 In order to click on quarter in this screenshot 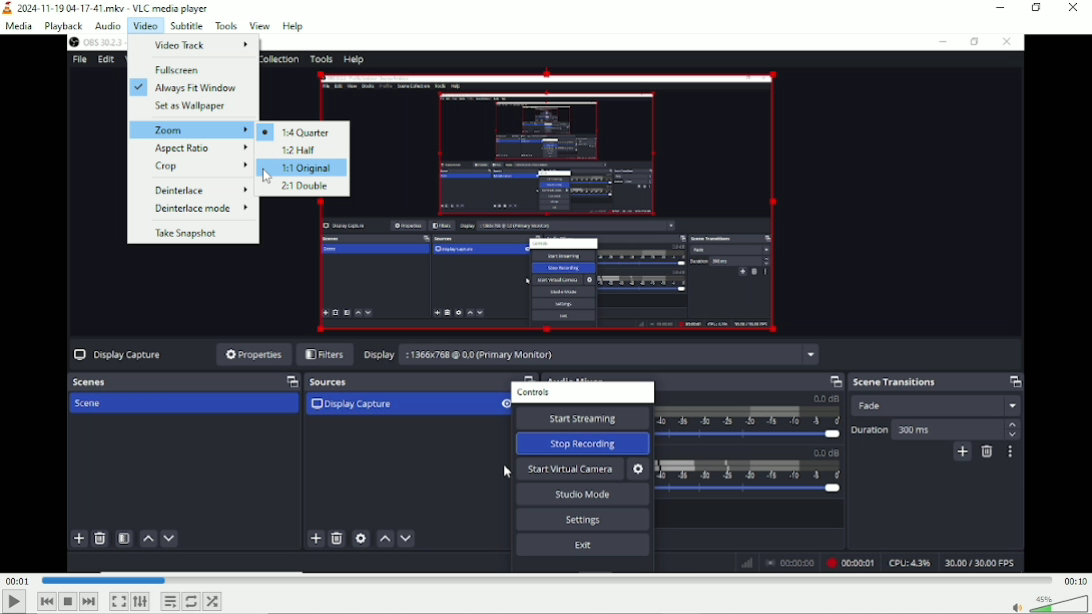, I will do `click(296, 131)`.